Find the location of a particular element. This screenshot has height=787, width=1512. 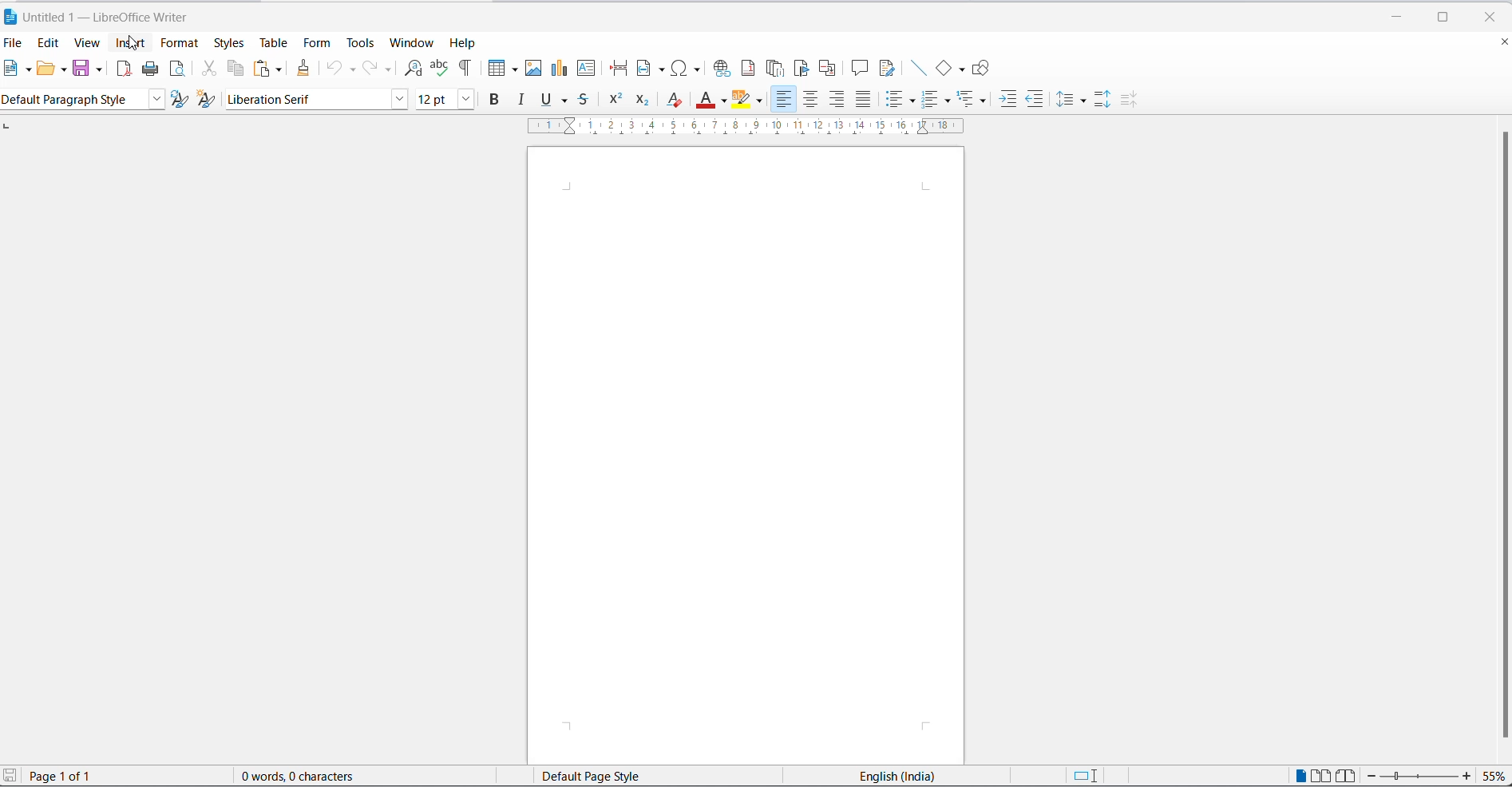

print preview is located at coordinates (177, 70).